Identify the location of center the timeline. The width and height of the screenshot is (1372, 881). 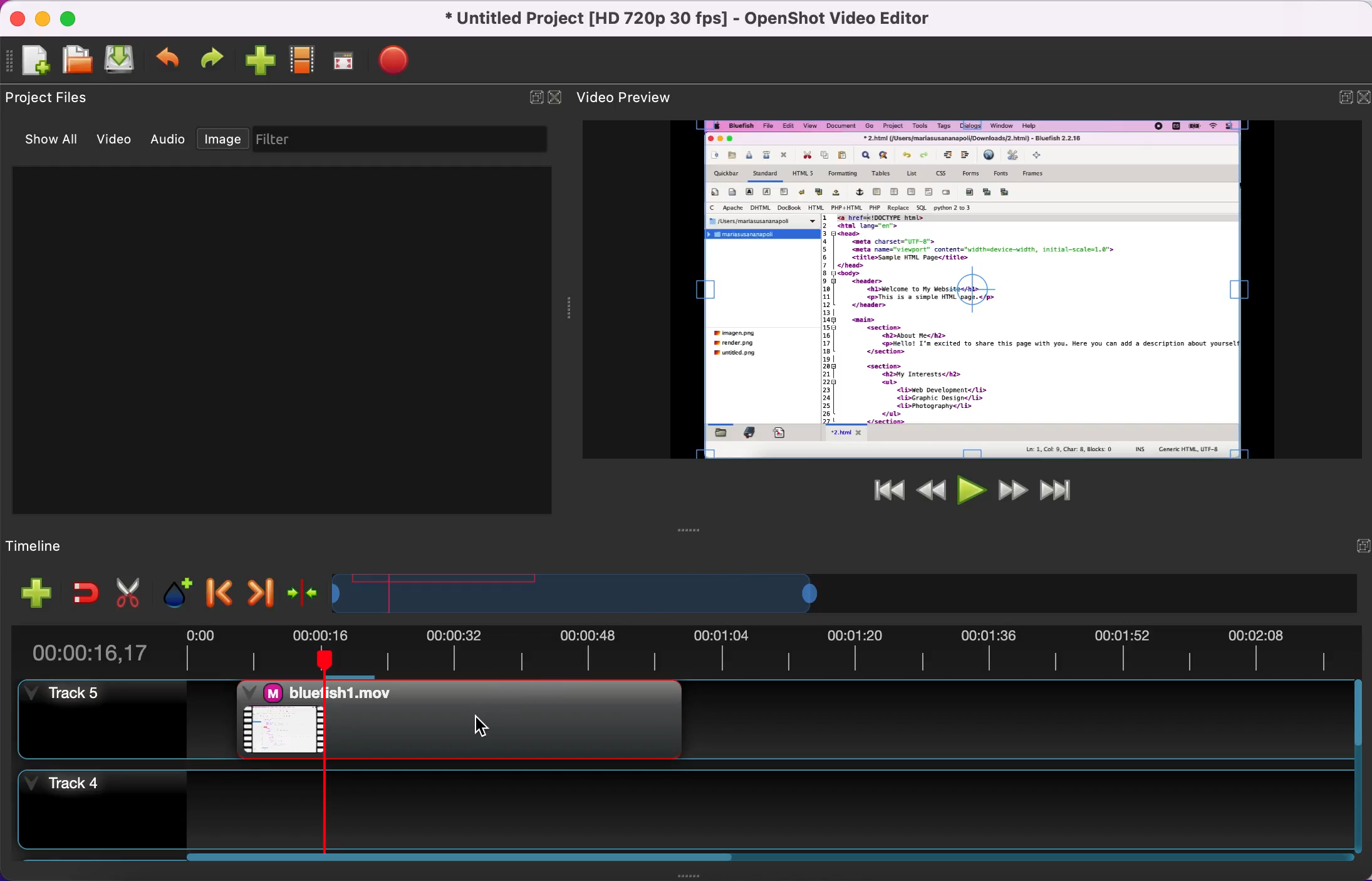
(299, 589).